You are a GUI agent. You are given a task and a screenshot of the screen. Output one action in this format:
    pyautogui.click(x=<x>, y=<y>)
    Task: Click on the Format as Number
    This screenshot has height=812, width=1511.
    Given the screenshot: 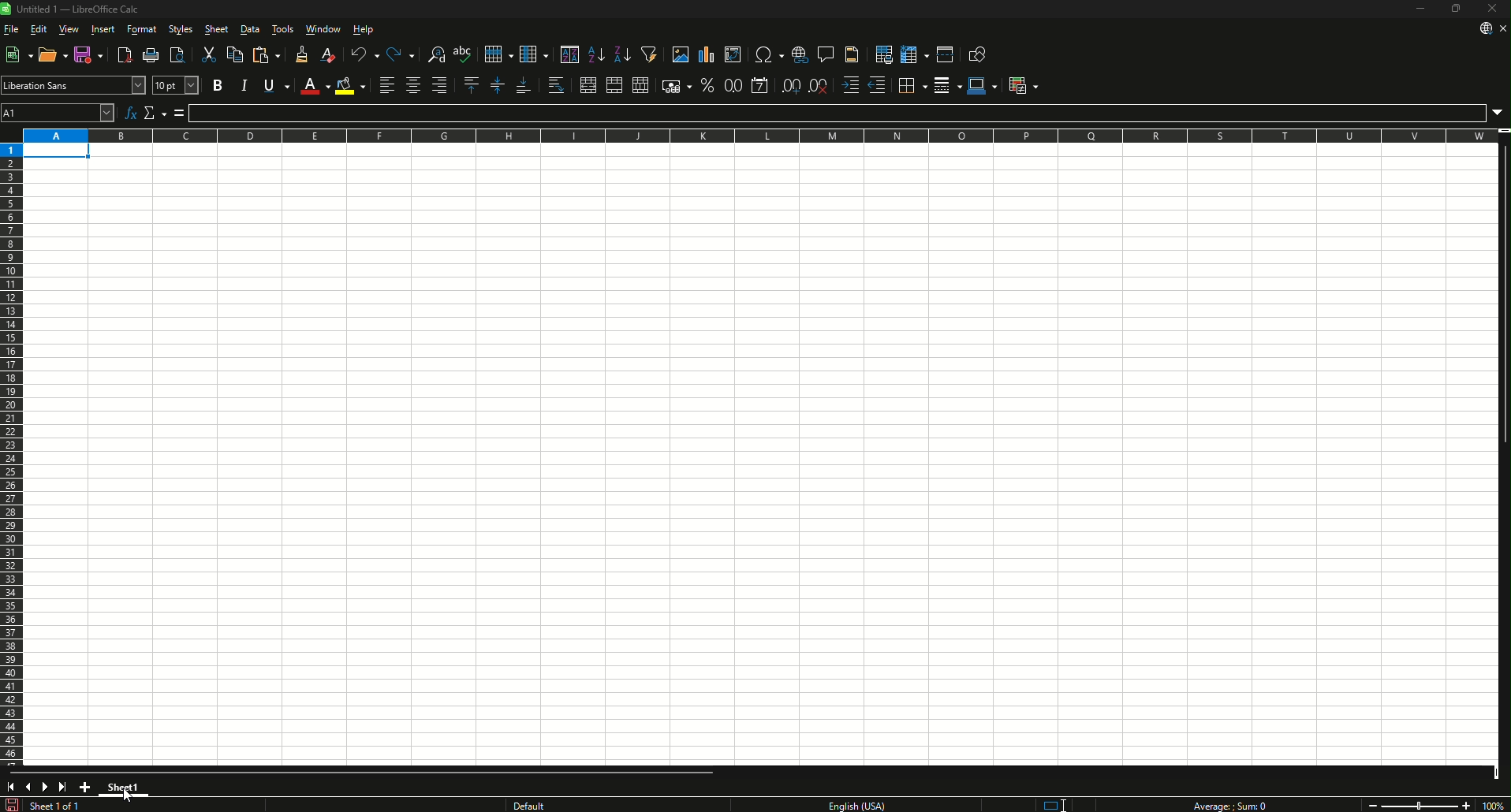 What is the action you would take?
    pyautogui.click(x=733, y=85)
    